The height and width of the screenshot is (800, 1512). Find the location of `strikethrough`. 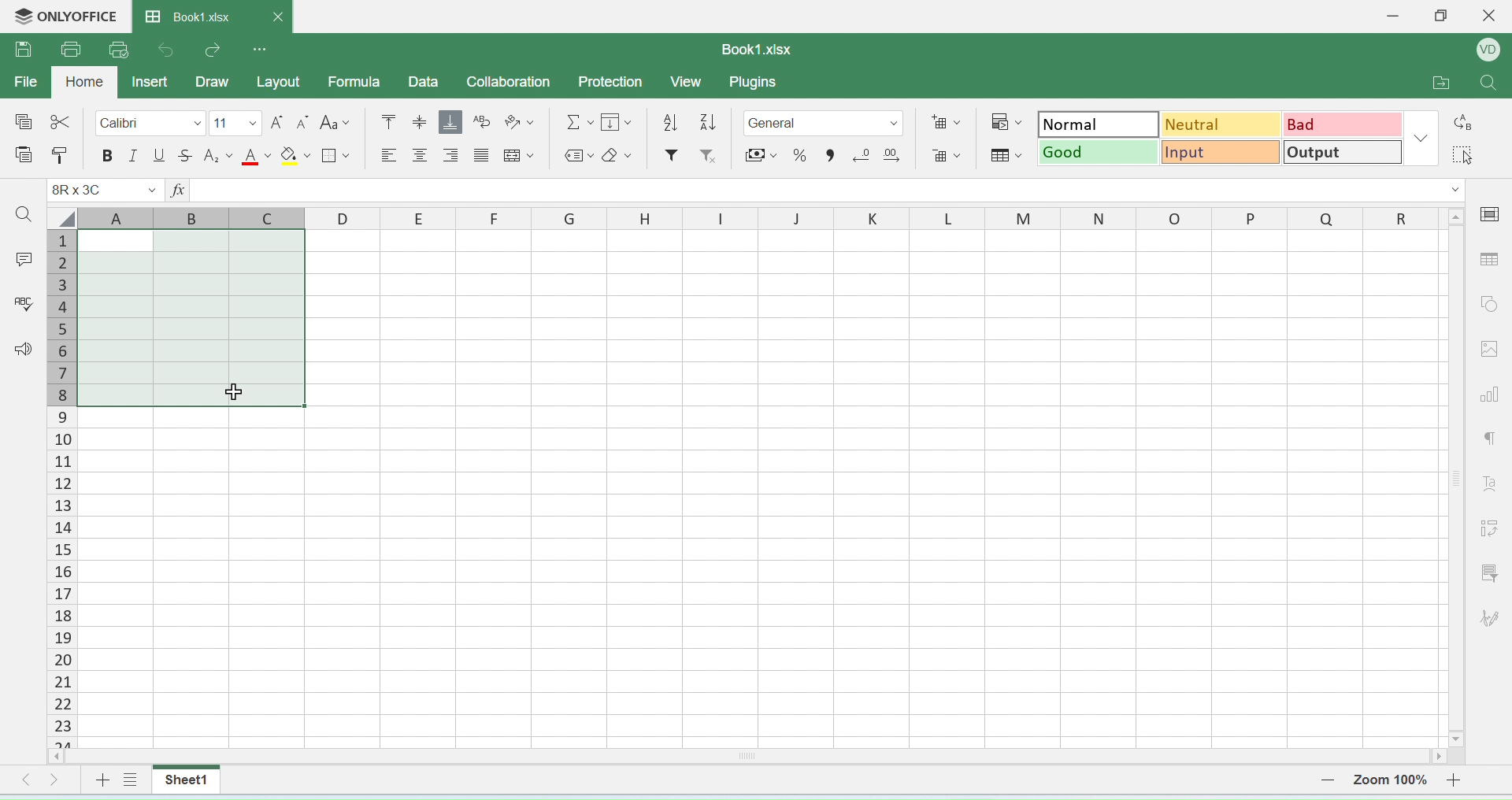

strikethrough is located at coordinates (185, 154).